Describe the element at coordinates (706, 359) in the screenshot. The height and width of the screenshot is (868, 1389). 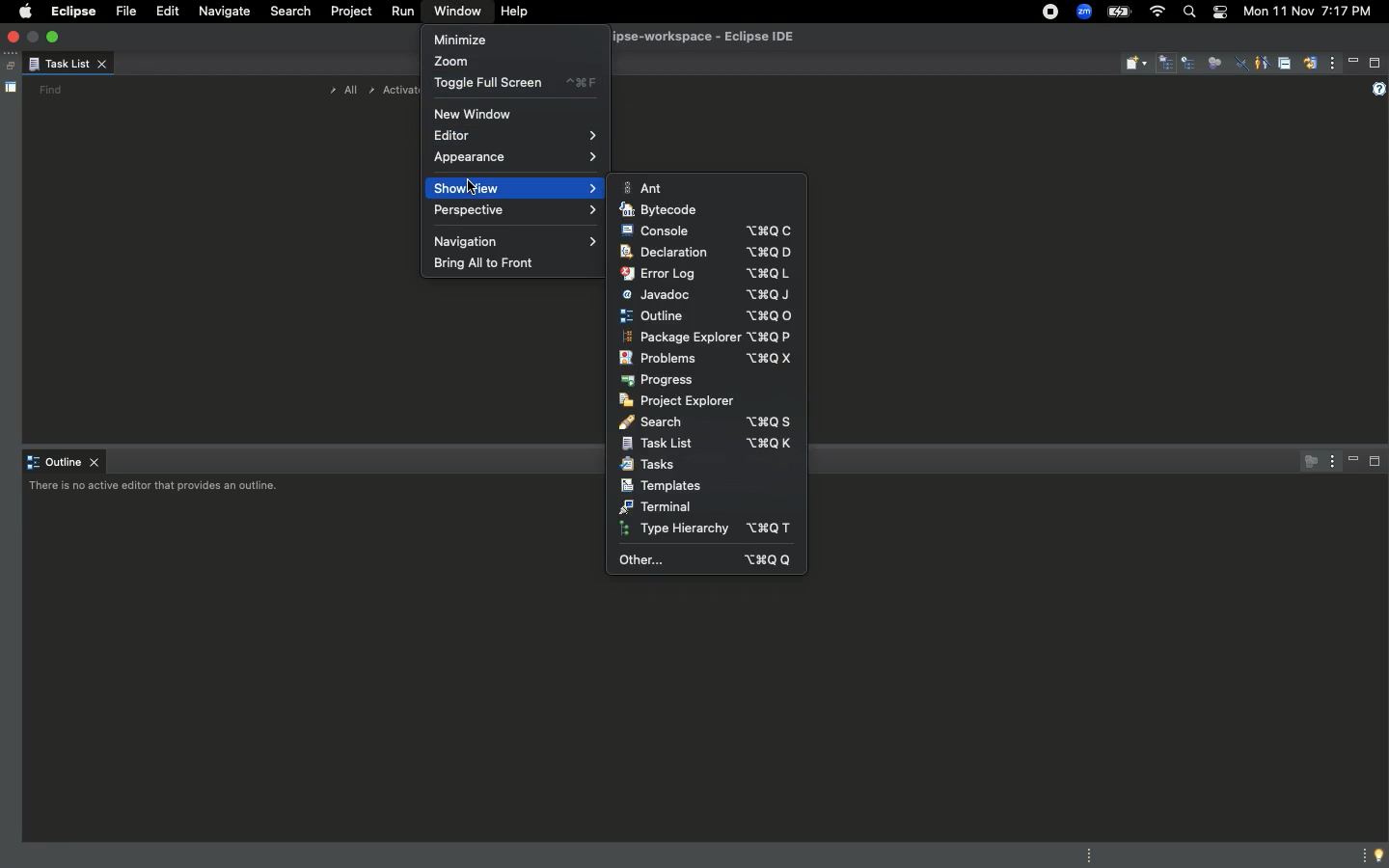
I see `Problems` at that location.